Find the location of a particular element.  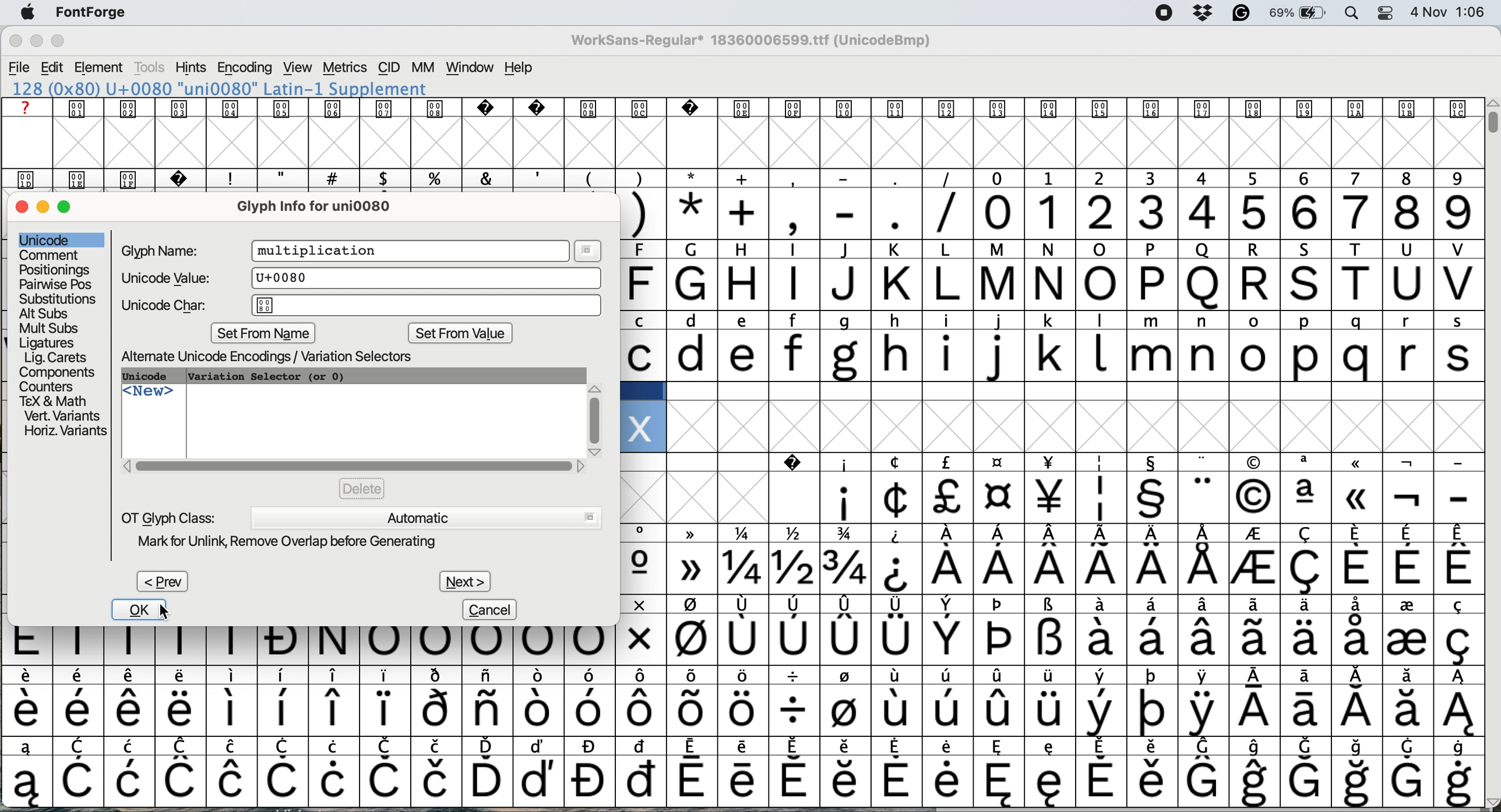

set from value is located at coordinates (460, 335).